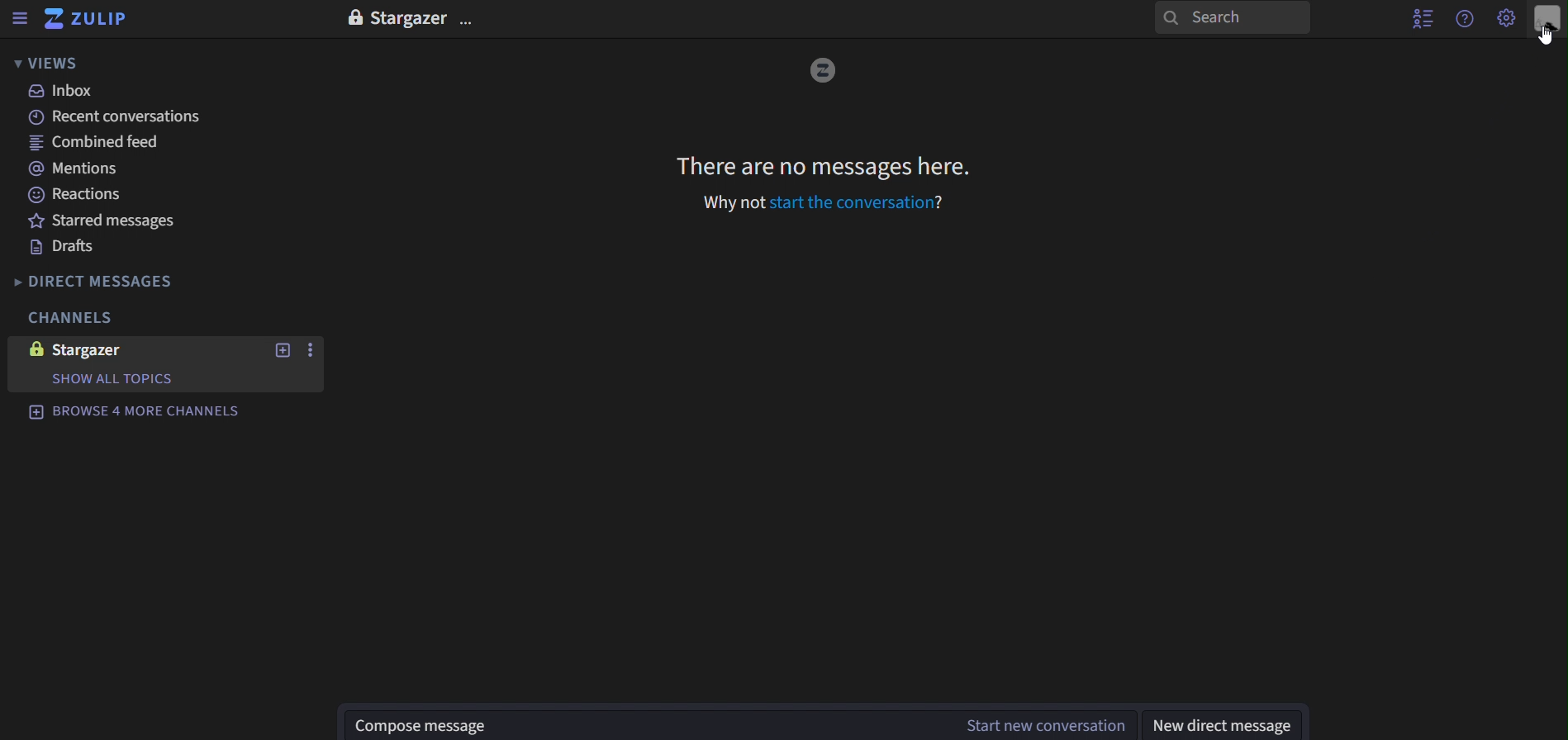  I want to click on help, so click(1469, 20).